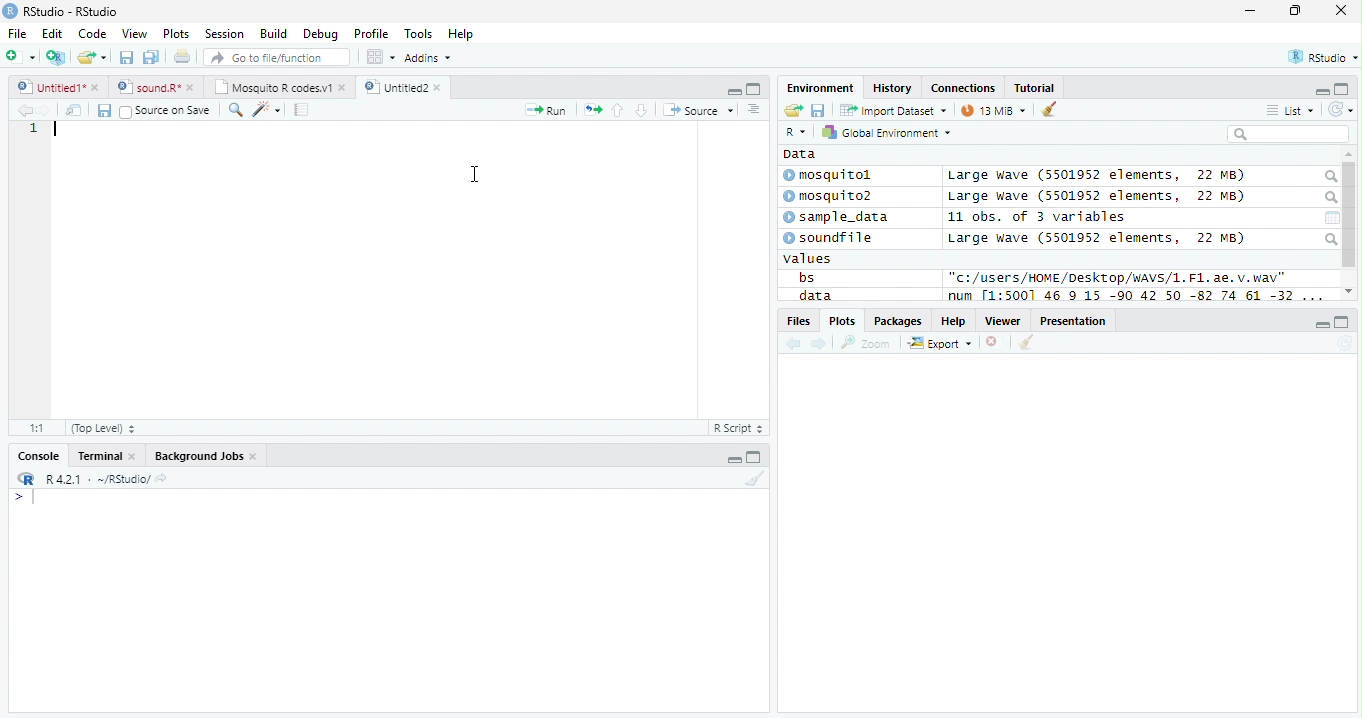 This screenshot has width=1362, height=718. I want to click on Data, so click(800, 154).